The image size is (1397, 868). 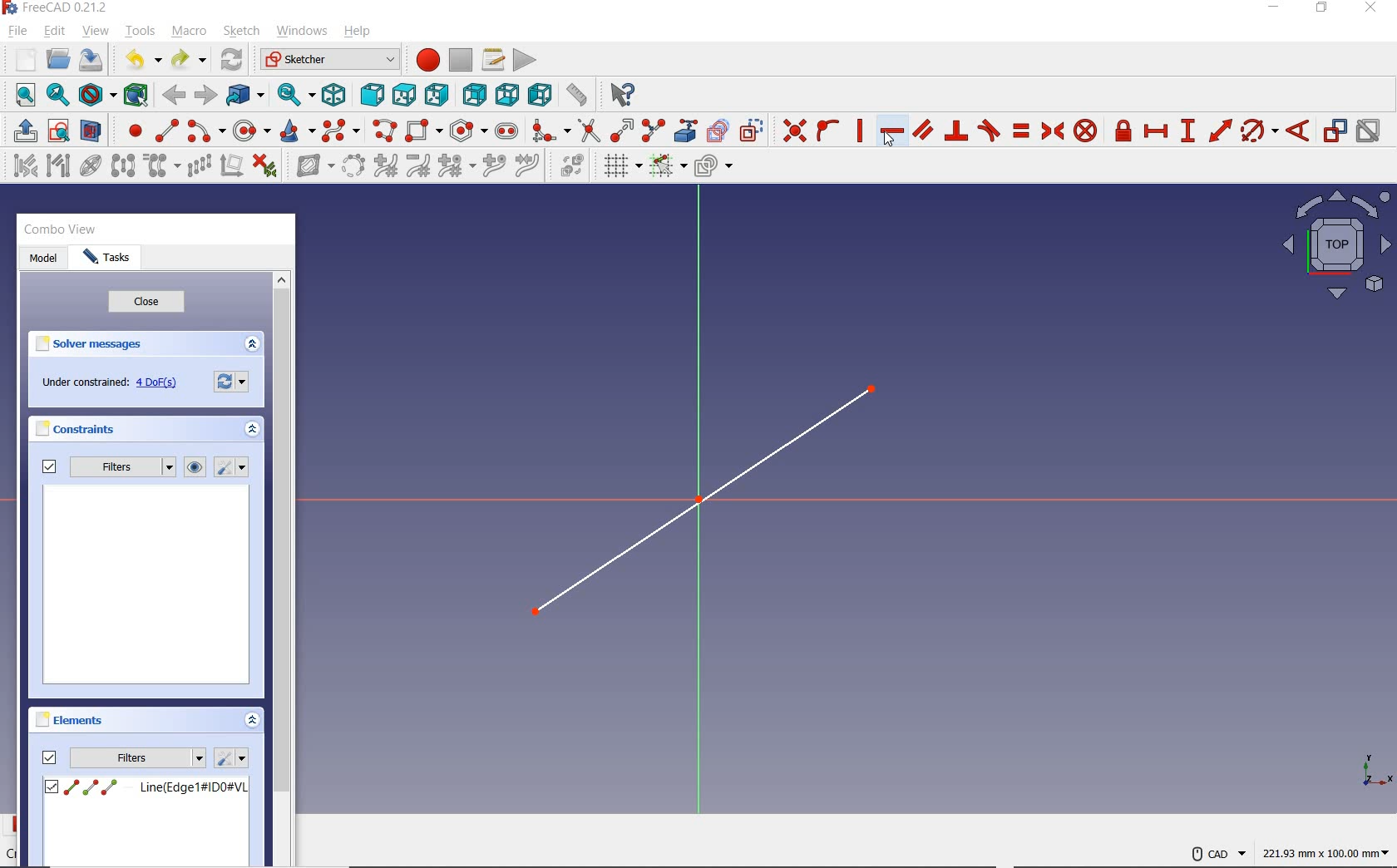 What do you see at coordinates (624, 96) in the screenshot?
I see `WHAT'S THIS?` at bounding box center [624, 96].